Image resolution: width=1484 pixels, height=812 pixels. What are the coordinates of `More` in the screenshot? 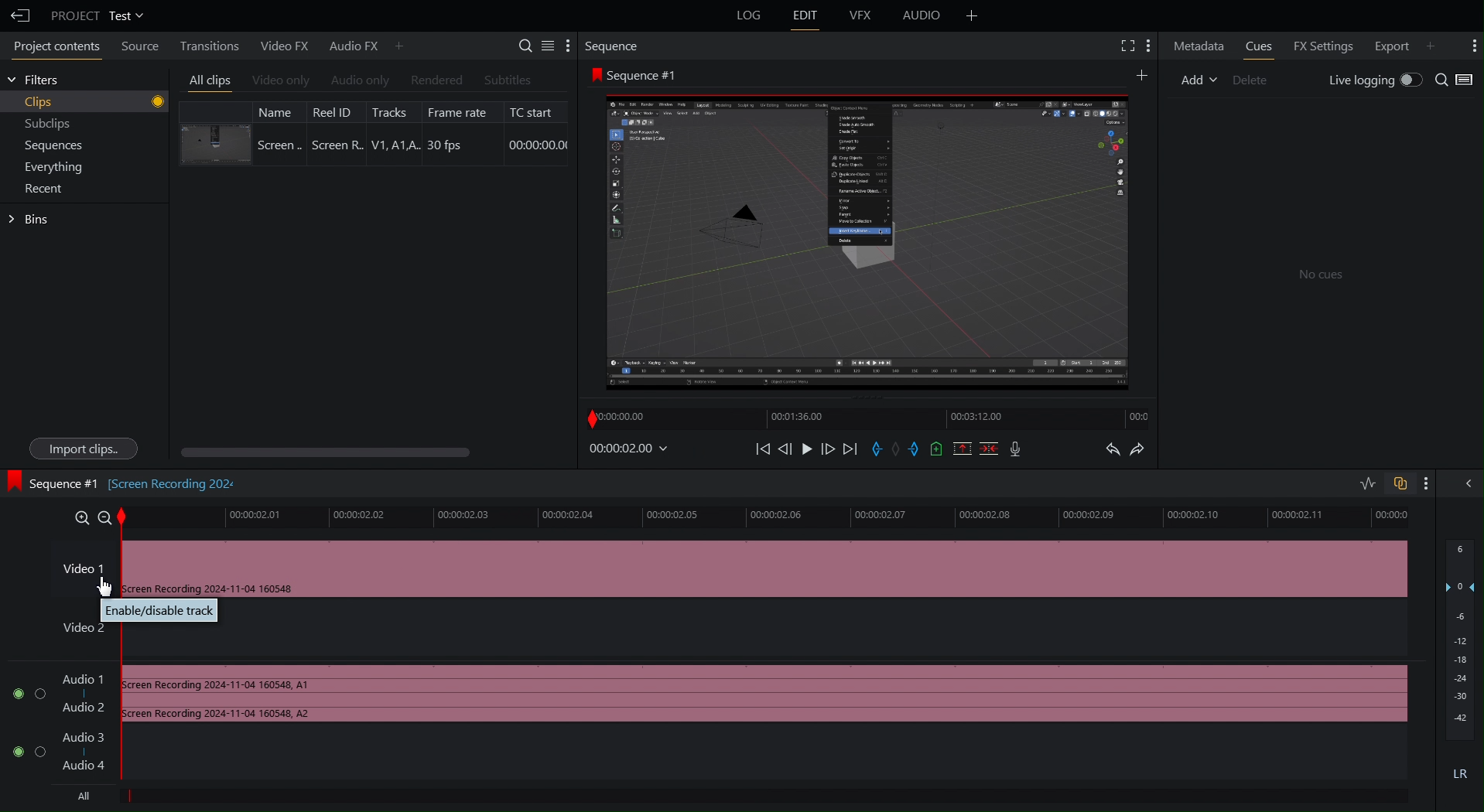 It's located at (1470, 46).